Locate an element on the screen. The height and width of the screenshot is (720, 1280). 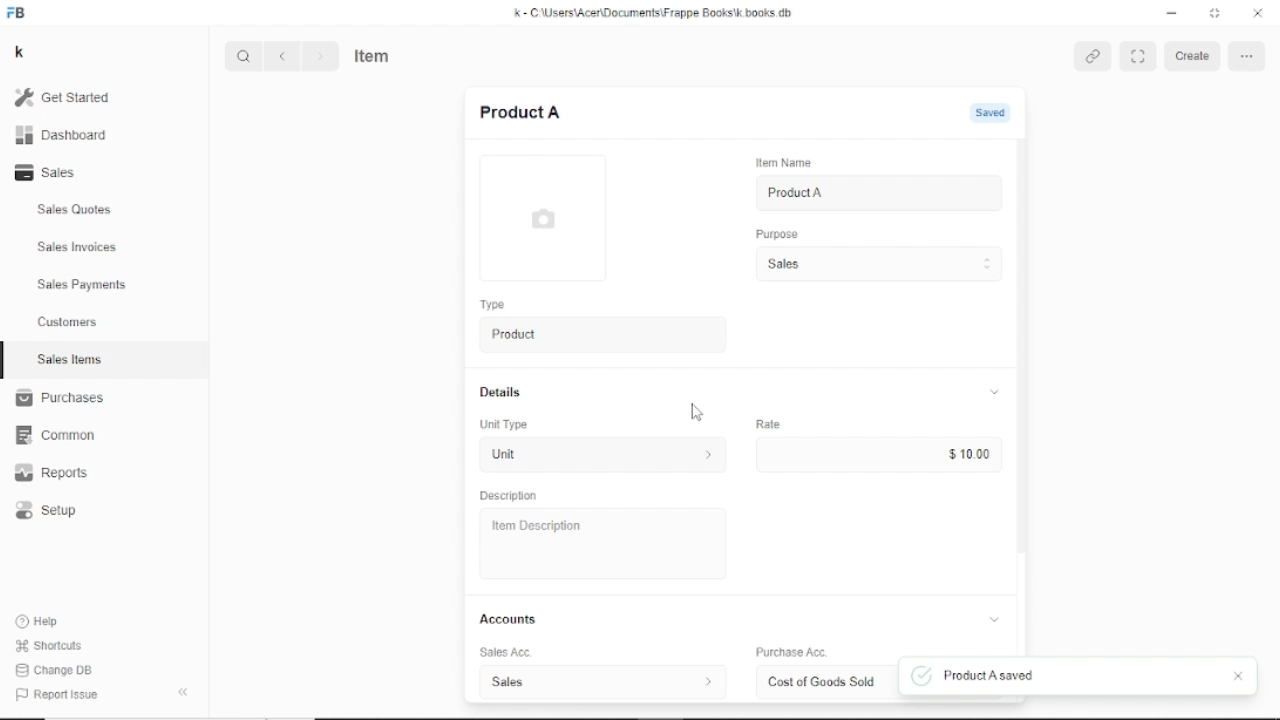
 Item is located at coordinates (373, 54).